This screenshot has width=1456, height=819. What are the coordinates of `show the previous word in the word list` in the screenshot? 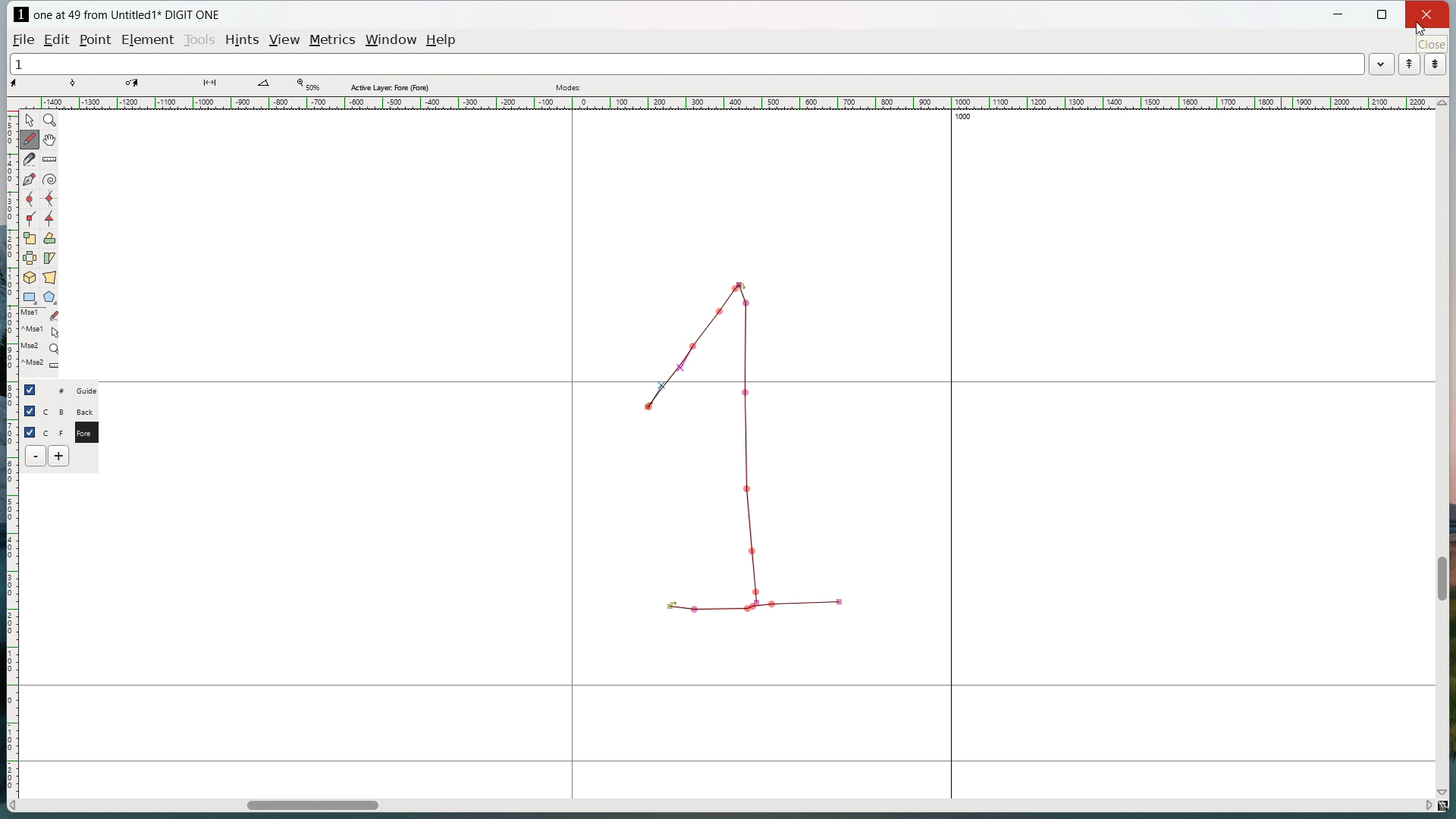 It's located at (1409, 64).